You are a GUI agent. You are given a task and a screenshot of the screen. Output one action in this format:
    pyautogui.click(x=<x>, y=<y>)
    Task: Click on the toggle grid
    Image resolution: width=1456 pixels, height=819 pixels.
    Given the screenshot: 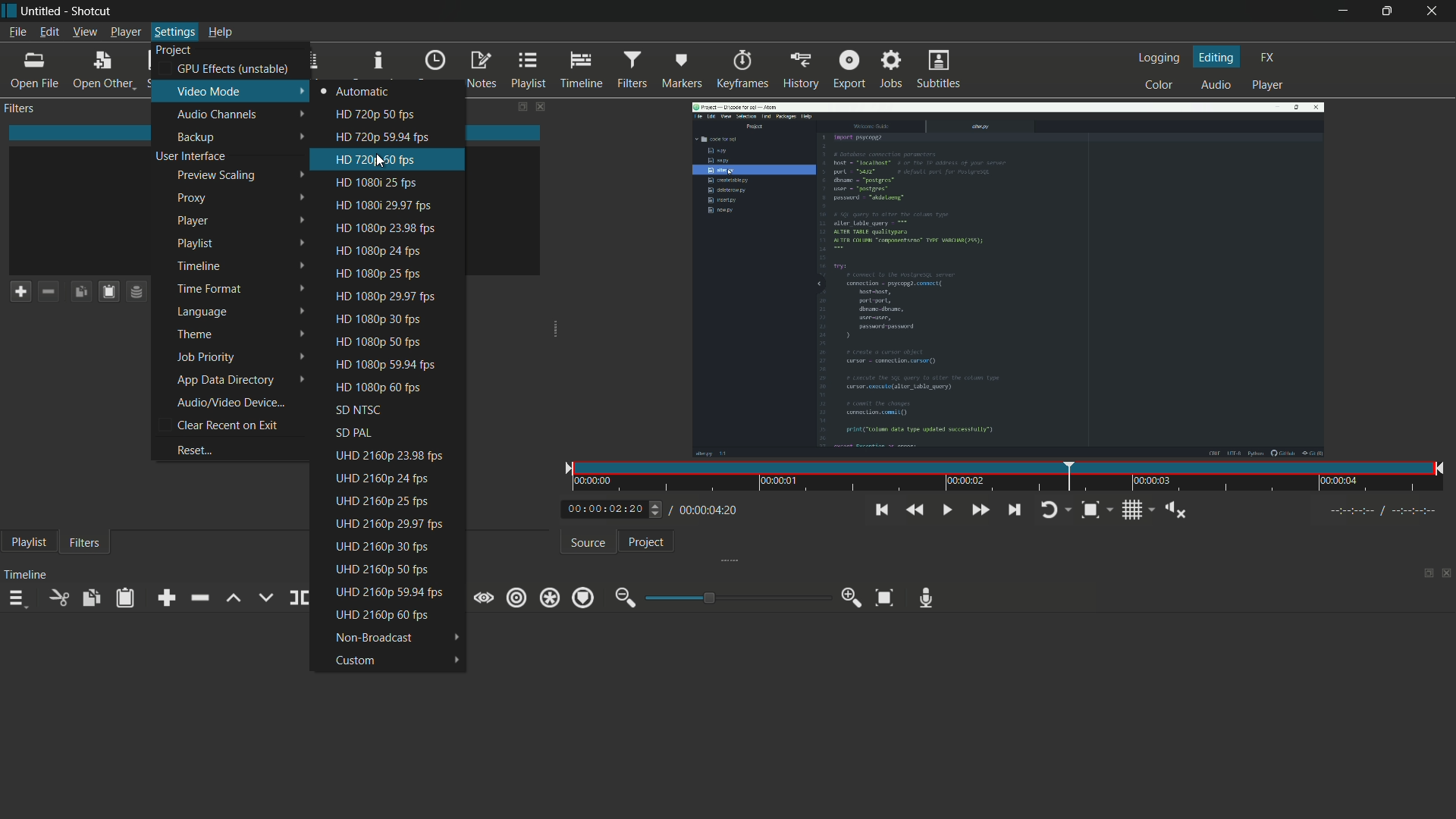 What is the action you would take?
    pyautogui.click(x=1134, y=510)
    